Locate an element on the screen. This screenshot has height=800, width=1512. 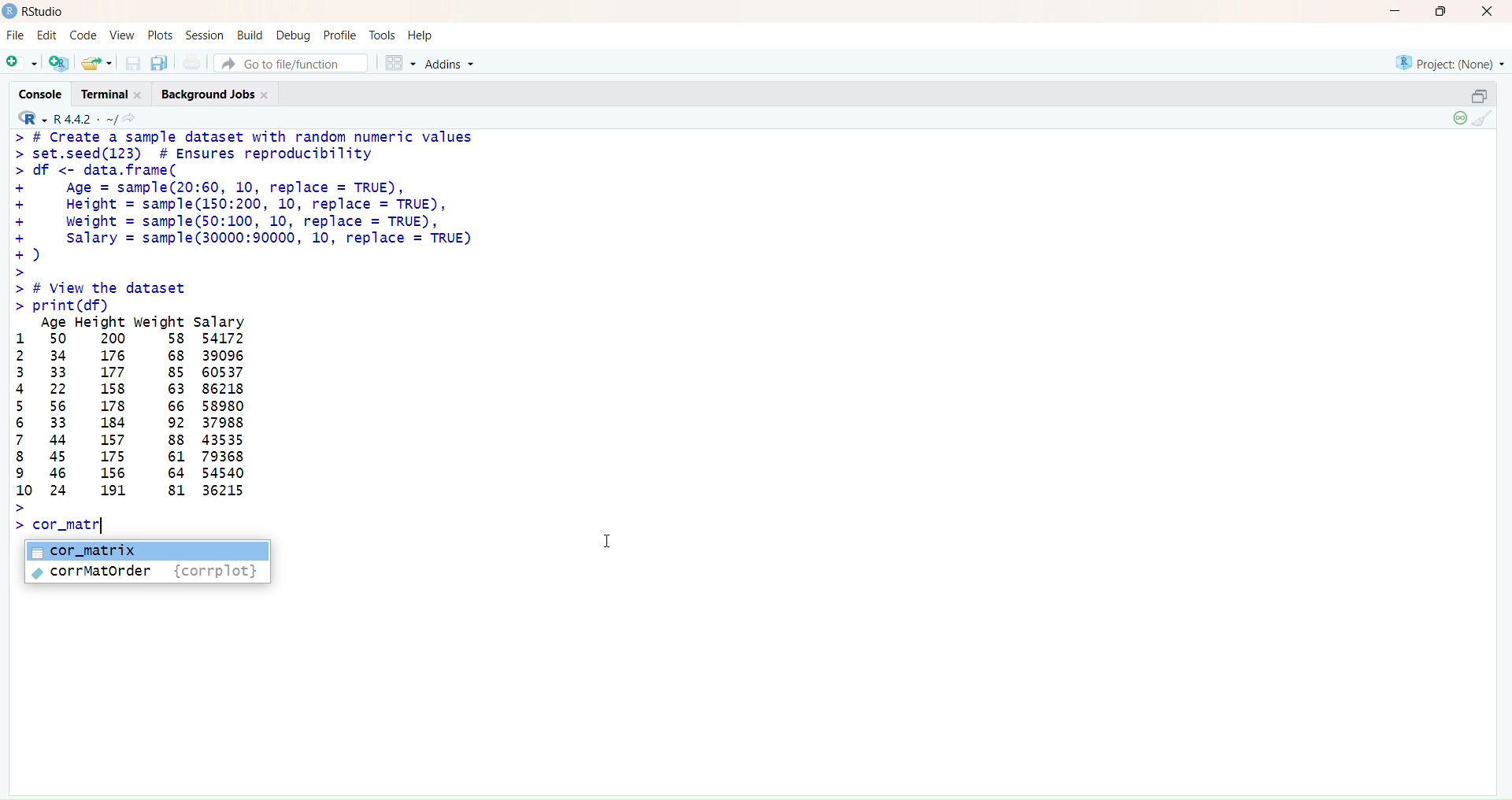
Workspace panes is located at coordinates (397, 62).